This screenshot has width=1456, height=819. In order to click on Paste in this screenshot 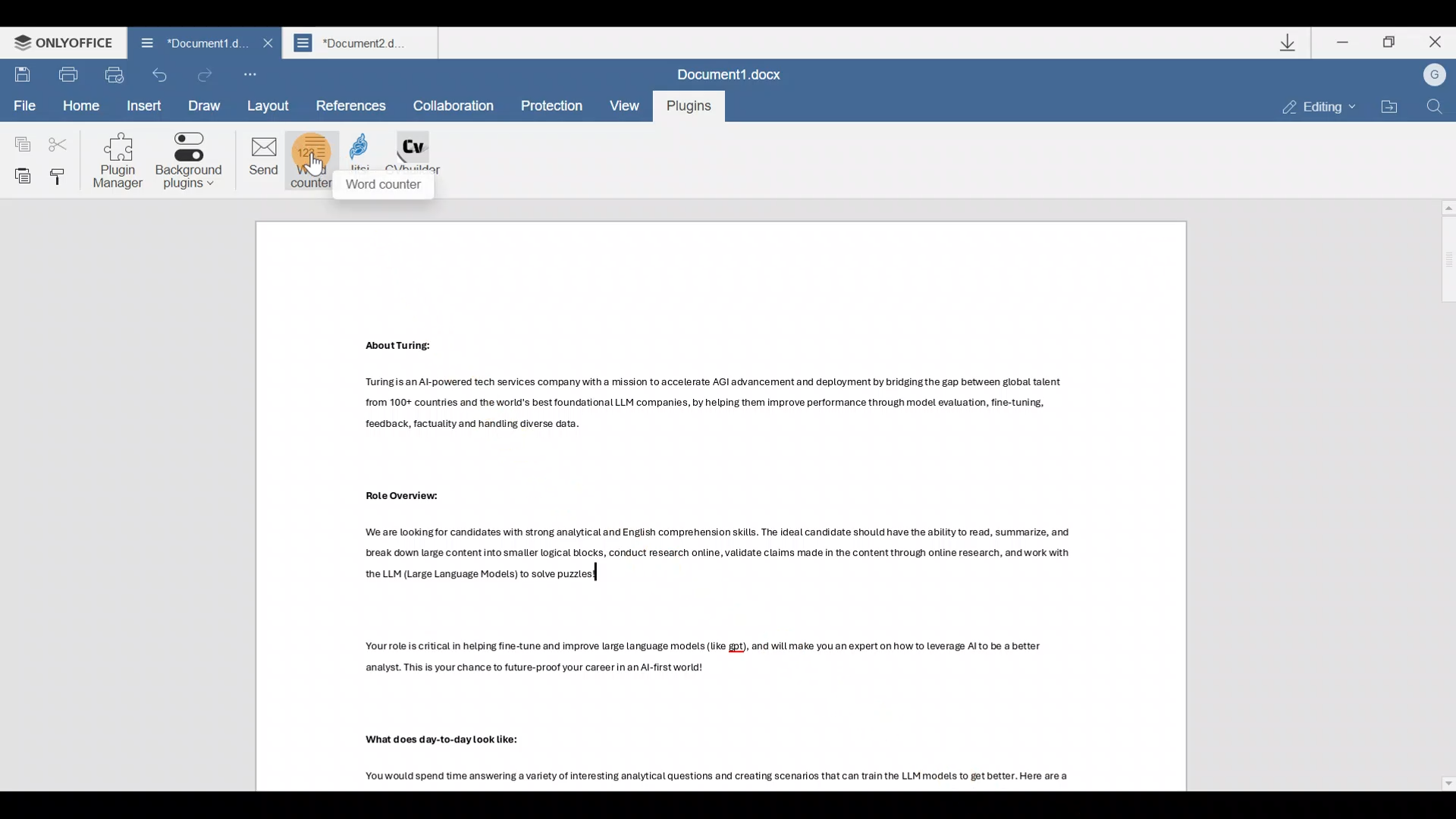, I will do `click(18, 178)`.